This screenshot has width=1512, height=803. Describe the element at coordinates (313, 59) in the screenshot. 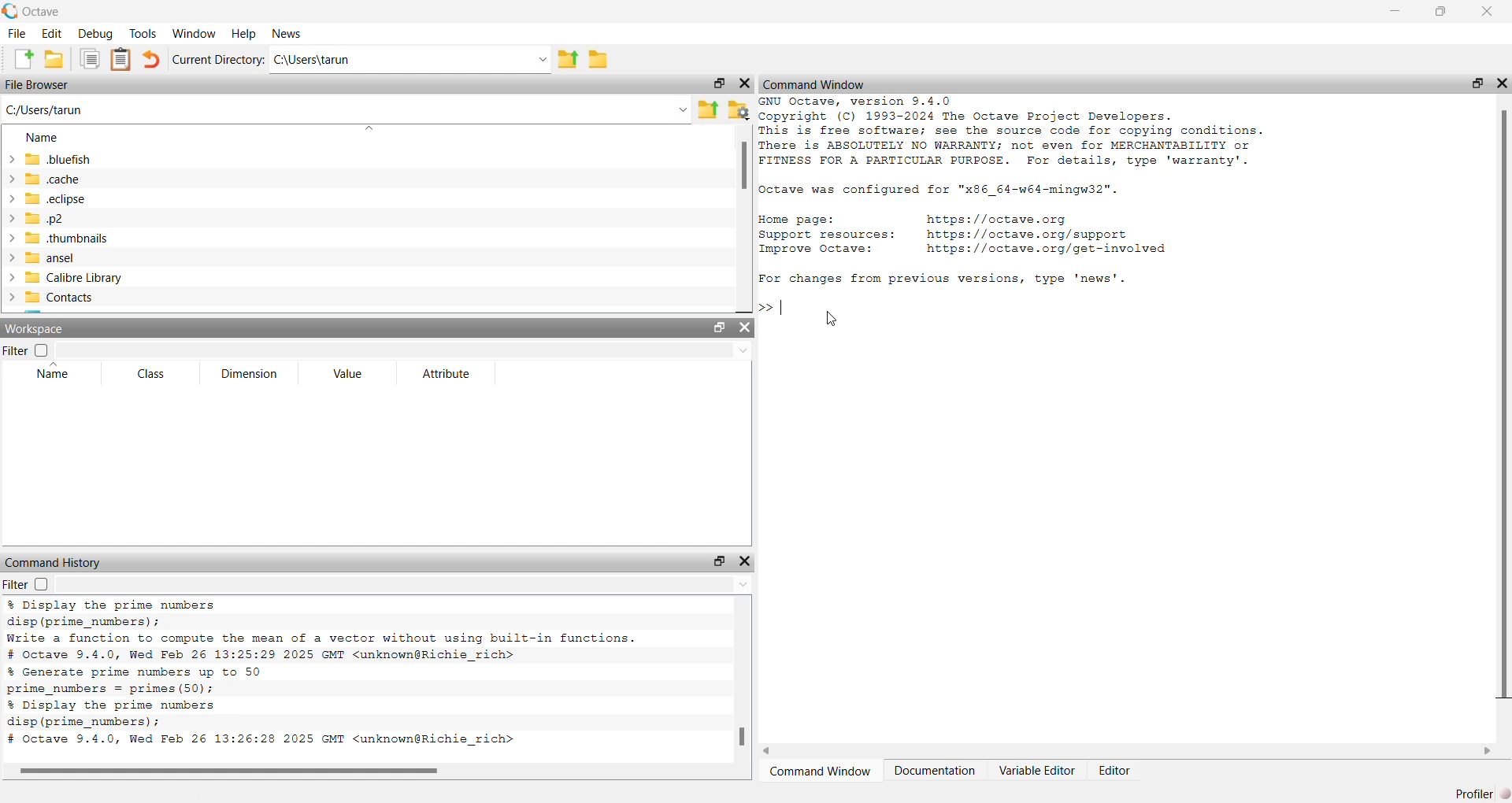

I see `C:\Users\tarun` at that location.